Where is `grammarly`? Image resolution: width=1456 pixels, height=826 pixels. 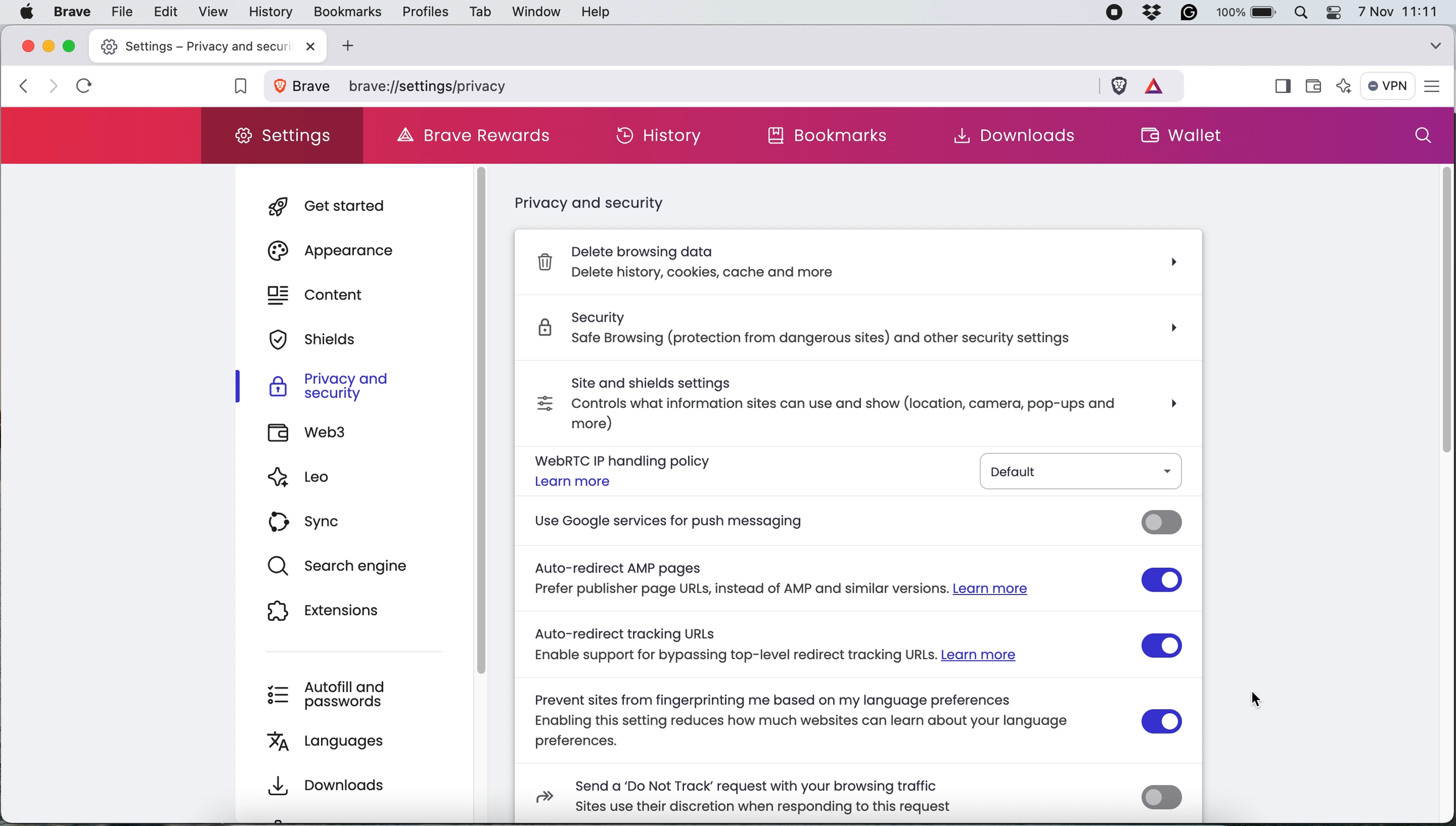 grammarly is located at coordinates (1193, 13).